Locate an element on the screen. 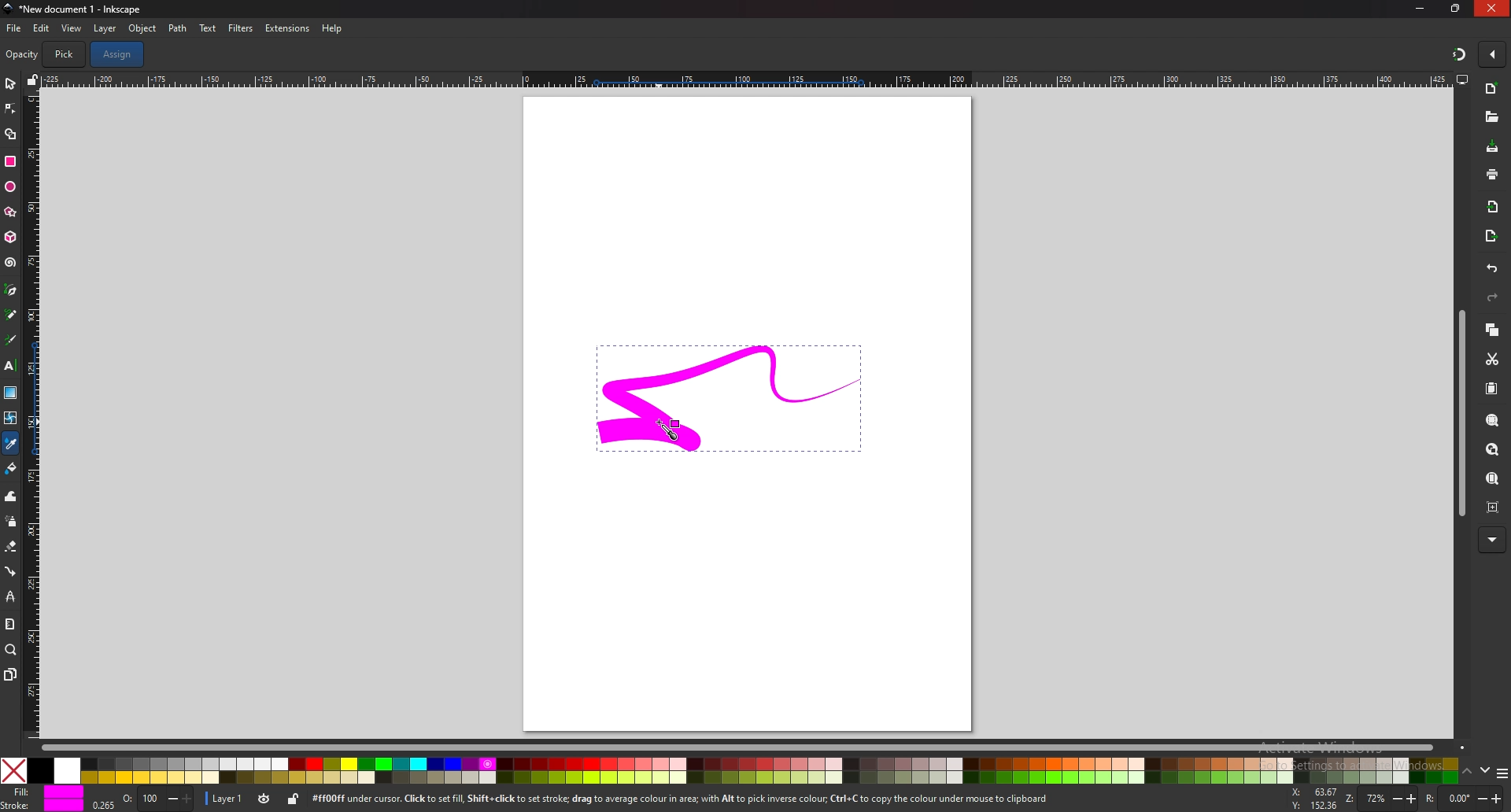  assign is located at coordinates (120, 54).